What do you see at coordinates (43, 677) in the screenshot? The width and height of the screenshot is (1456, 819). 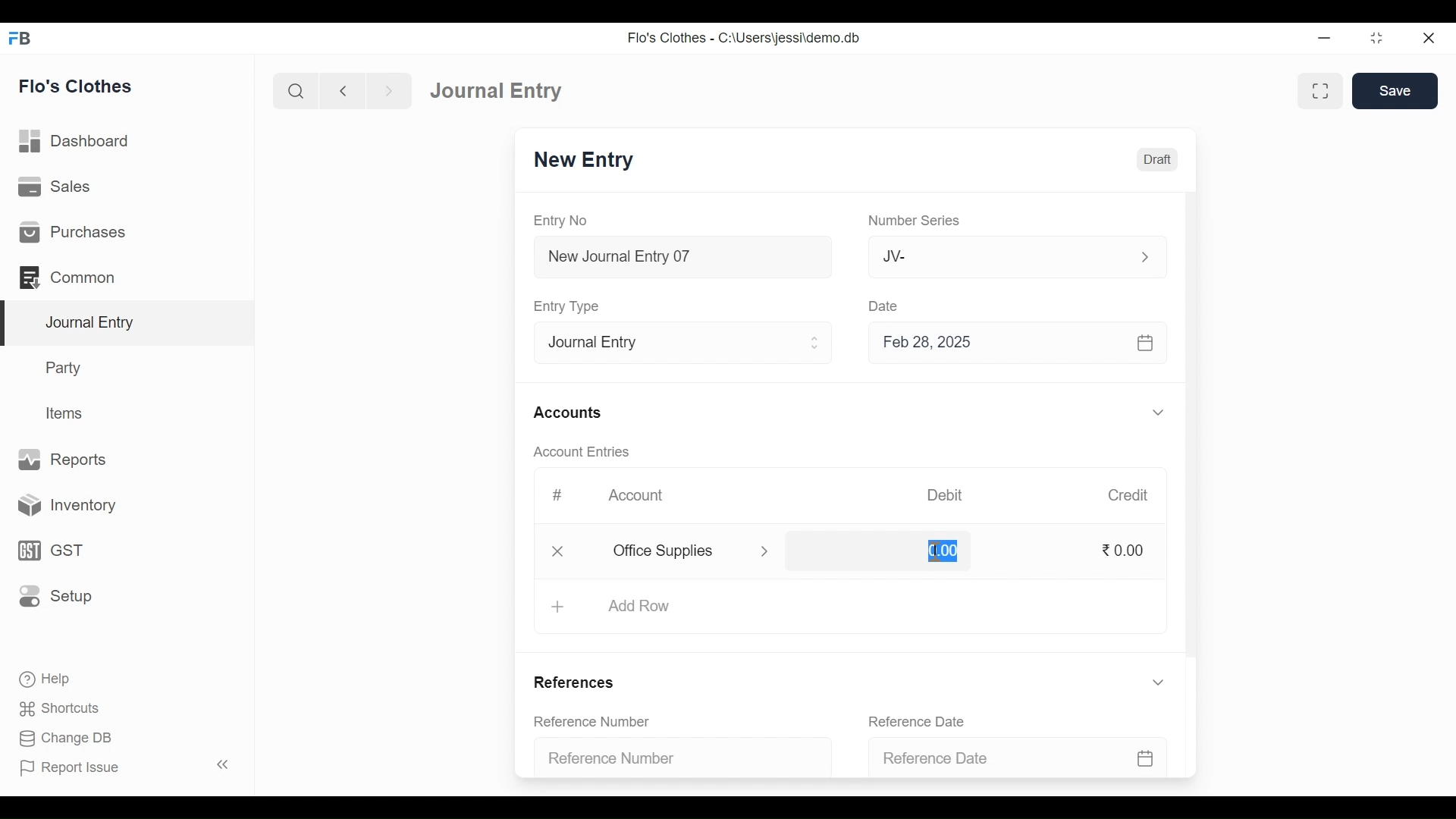 I see `Help` at bounding box center [43, 677].